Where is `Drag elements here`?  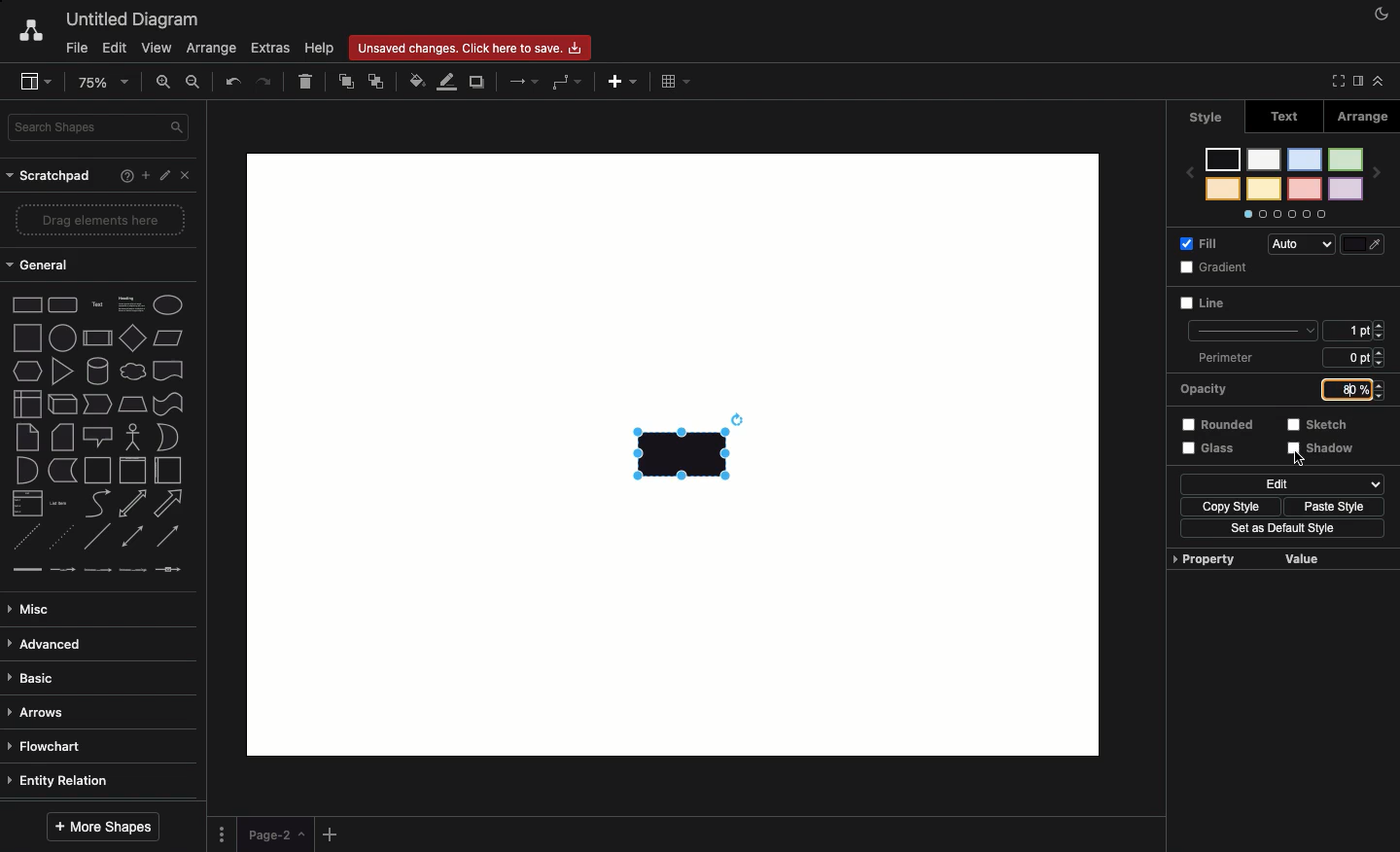
Drag elements here is located at coordinates (103, 219).